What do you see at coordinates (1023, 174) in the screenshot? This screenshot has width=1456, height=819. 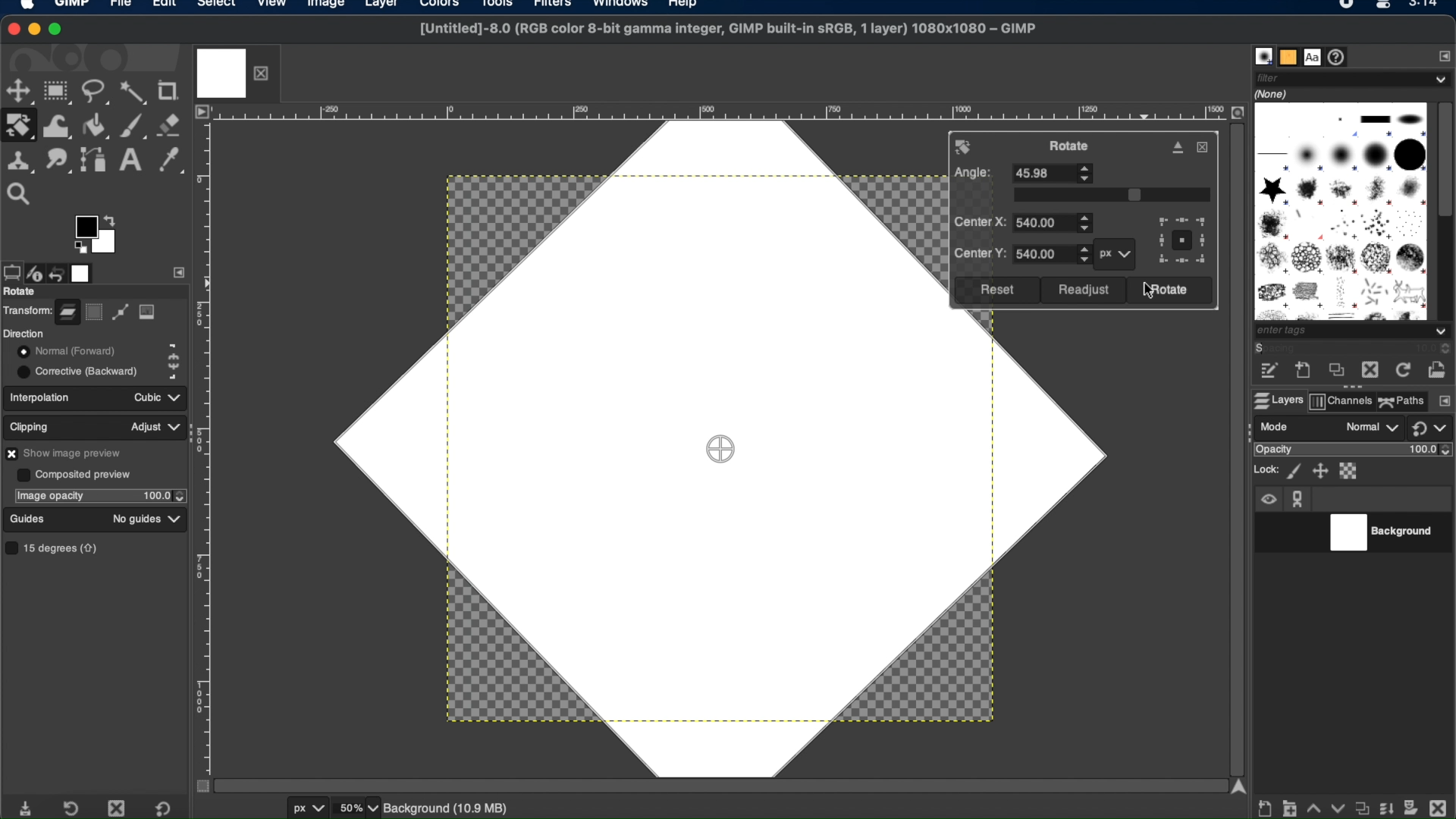 I see `angle` at bounding box center [1023, 174].